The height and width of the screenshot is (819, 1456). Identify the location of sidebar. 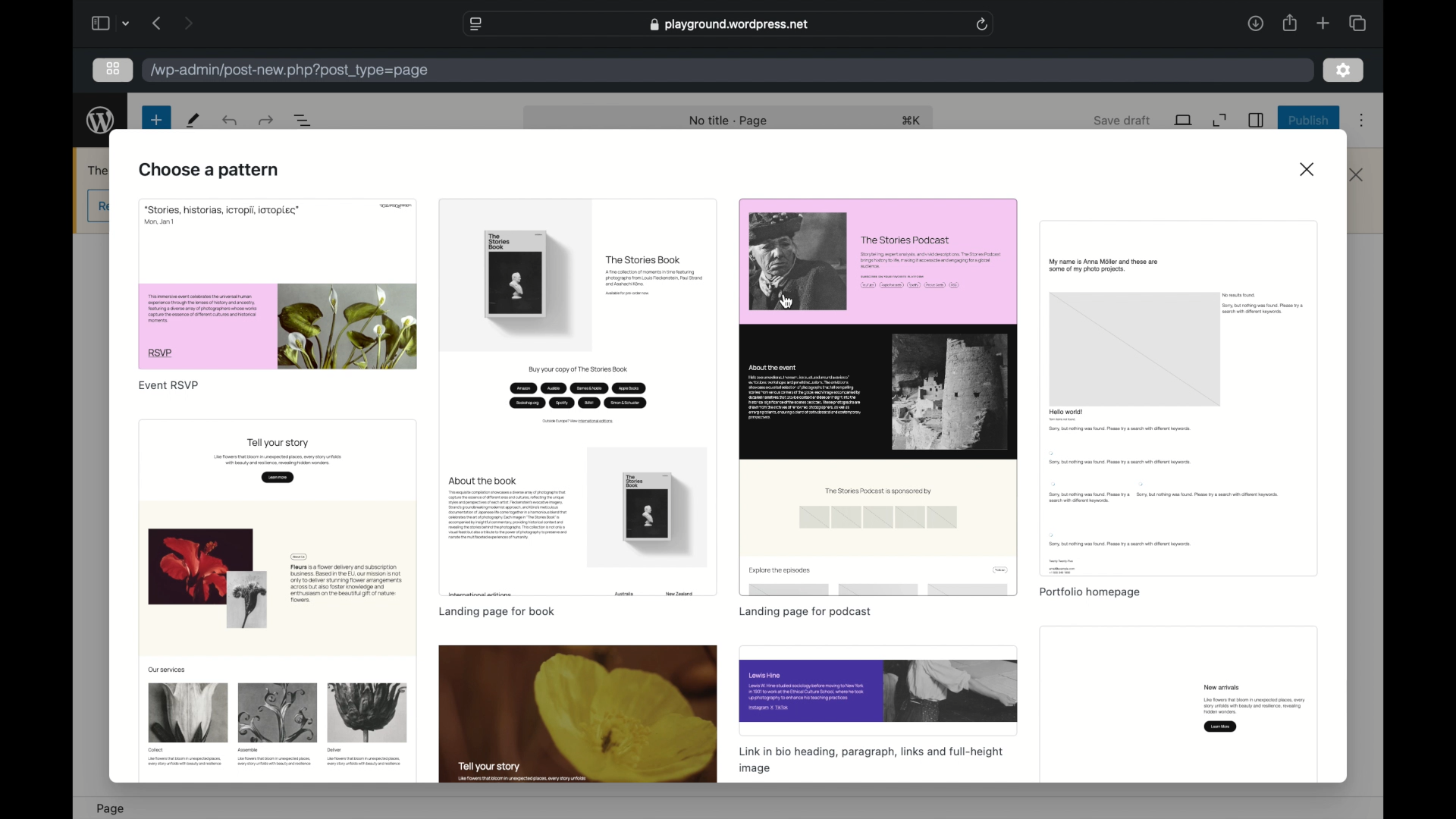
(1257, 120).